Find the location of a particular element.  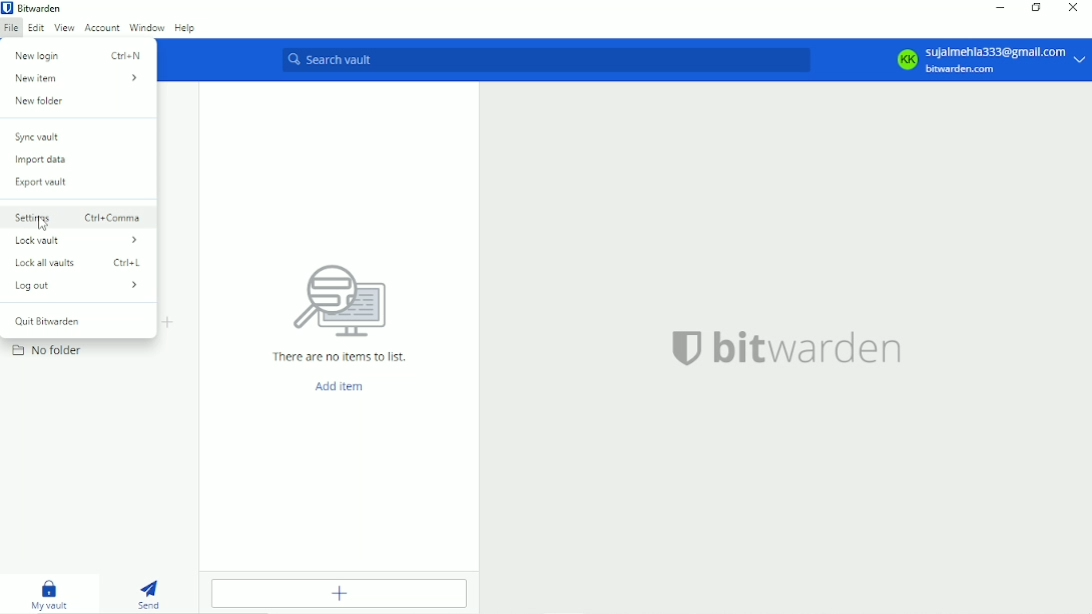

Edit is located at coordinates (37, 27).